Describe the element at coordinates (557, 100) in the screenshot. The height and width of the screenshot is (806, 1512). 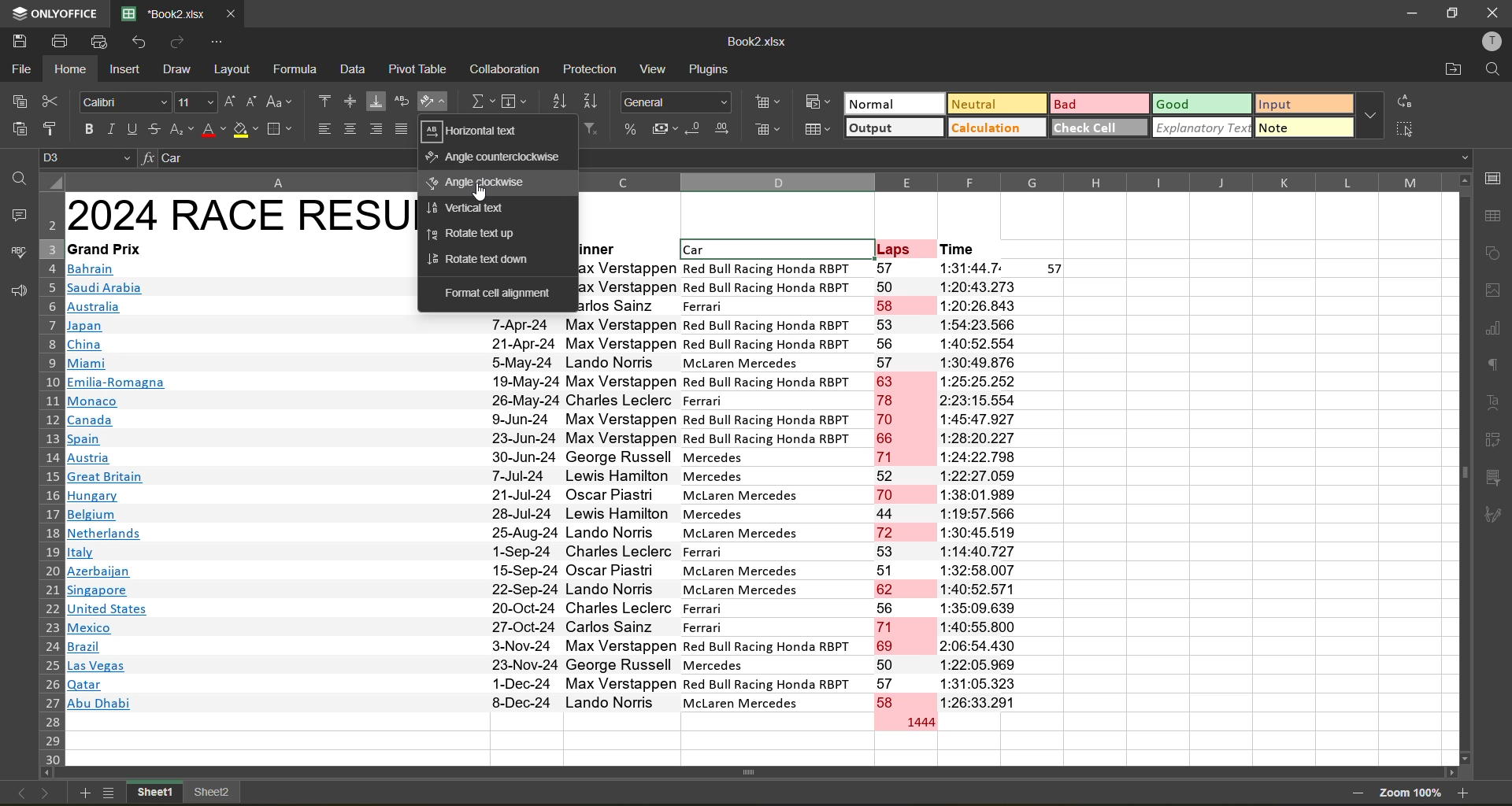
I see `sort ascending` at that location.